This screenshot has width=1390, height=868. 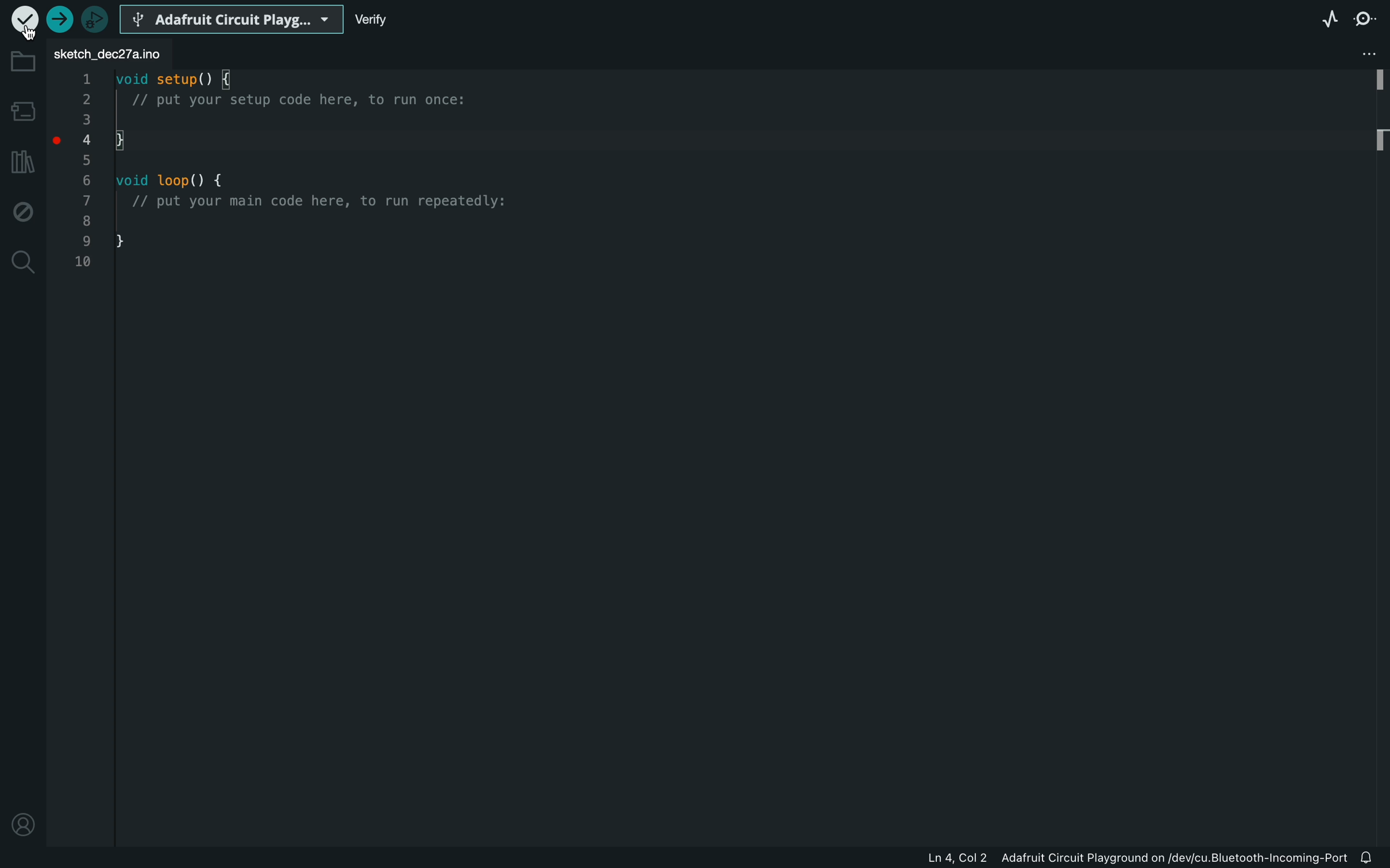 What do you see at coordinates (24, 264) in the screenshot?
I see `search` at bounding box center [24, 264].